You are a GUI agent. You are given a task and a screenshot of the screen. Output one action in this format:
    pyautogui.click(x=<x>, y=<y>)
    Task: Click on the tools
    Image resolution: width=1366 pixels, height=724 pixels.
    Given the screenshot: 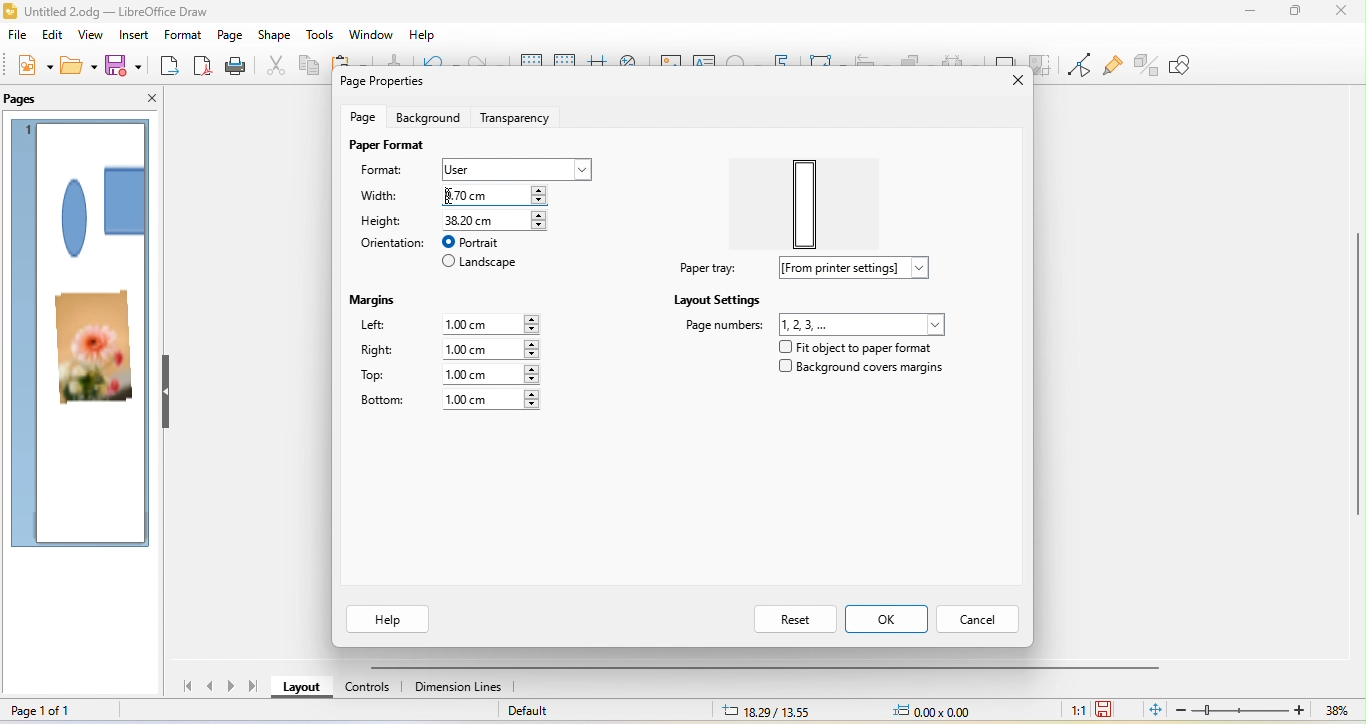 What is the action you would take?
    pyautogui.click(x=320, y=33)
    